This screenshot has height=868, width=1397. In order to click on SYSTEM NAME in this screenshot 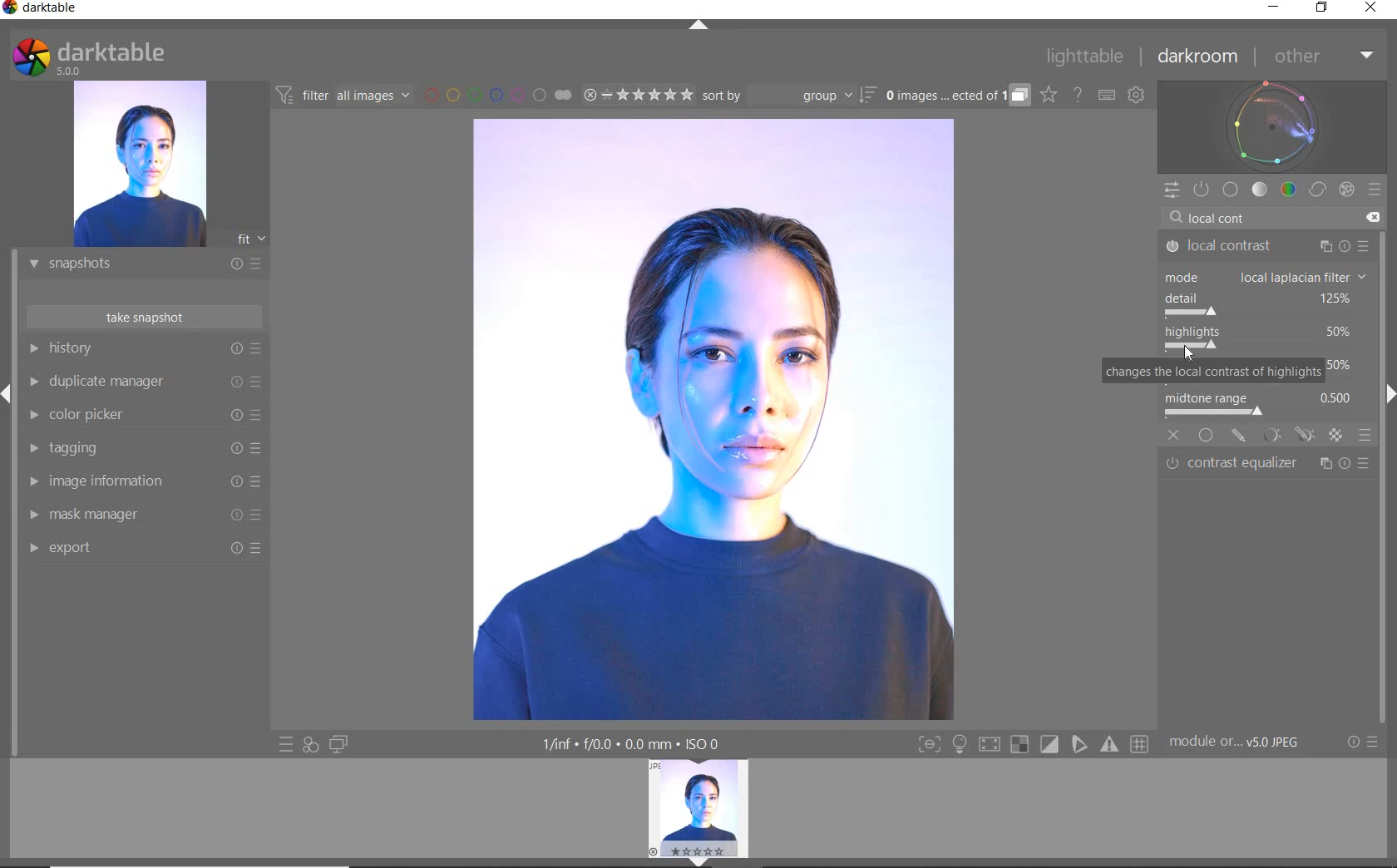, I will do `click(43, 11)`.